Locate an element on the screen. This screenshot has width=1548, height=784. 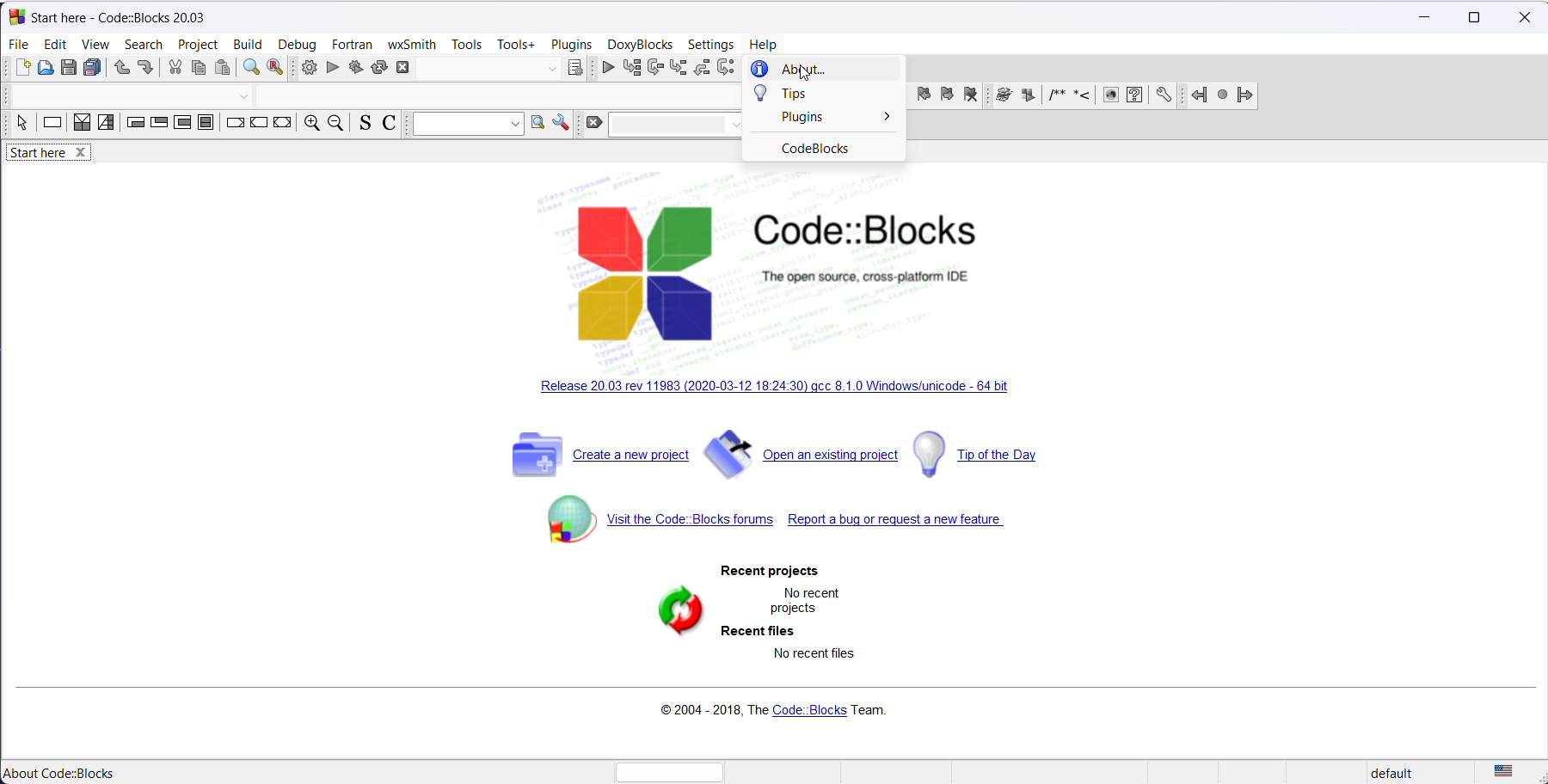
icon is located at coordinates (1110, 96).